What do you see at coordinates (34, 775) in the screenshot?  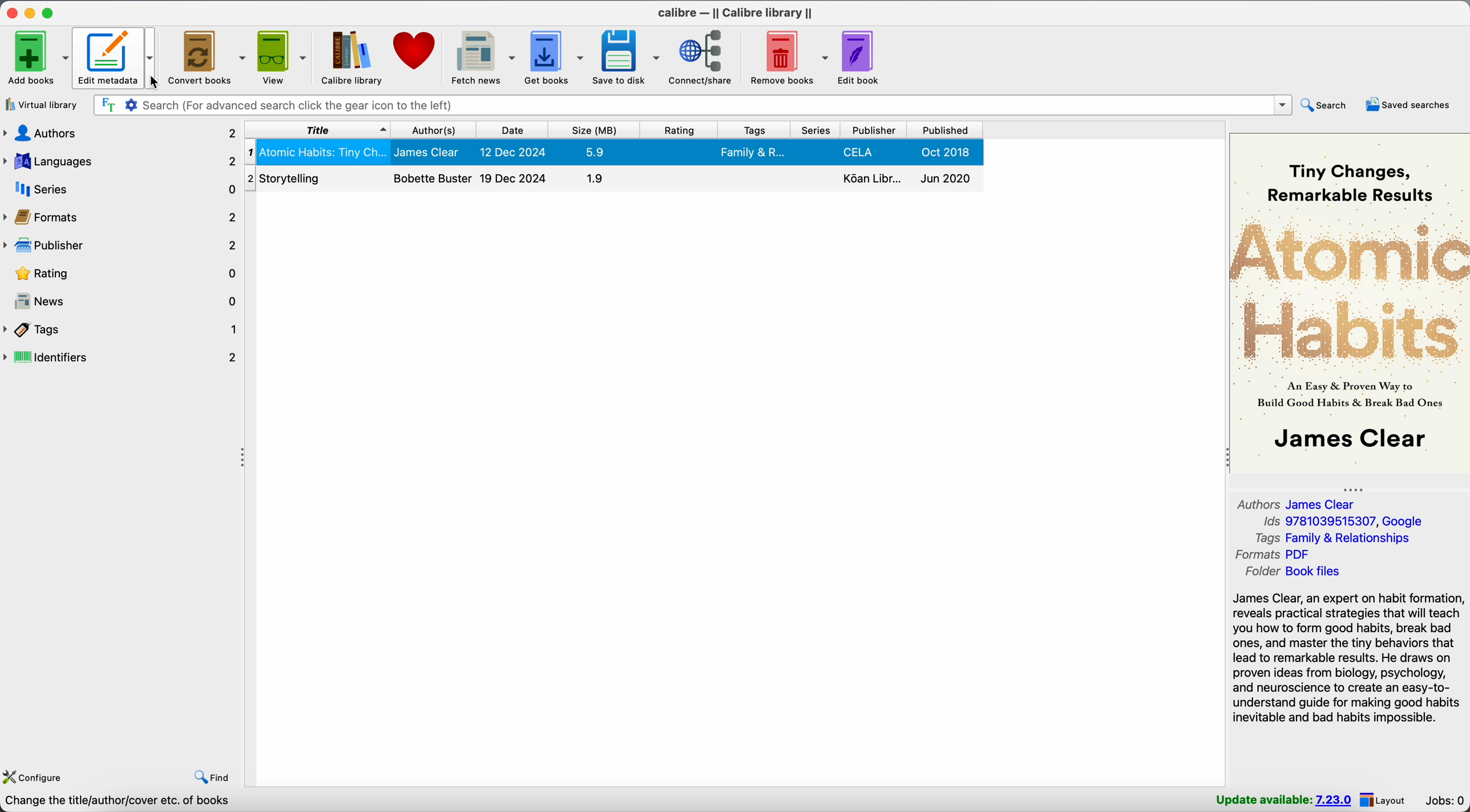 I see `configure` at bounding box center [34, 775].